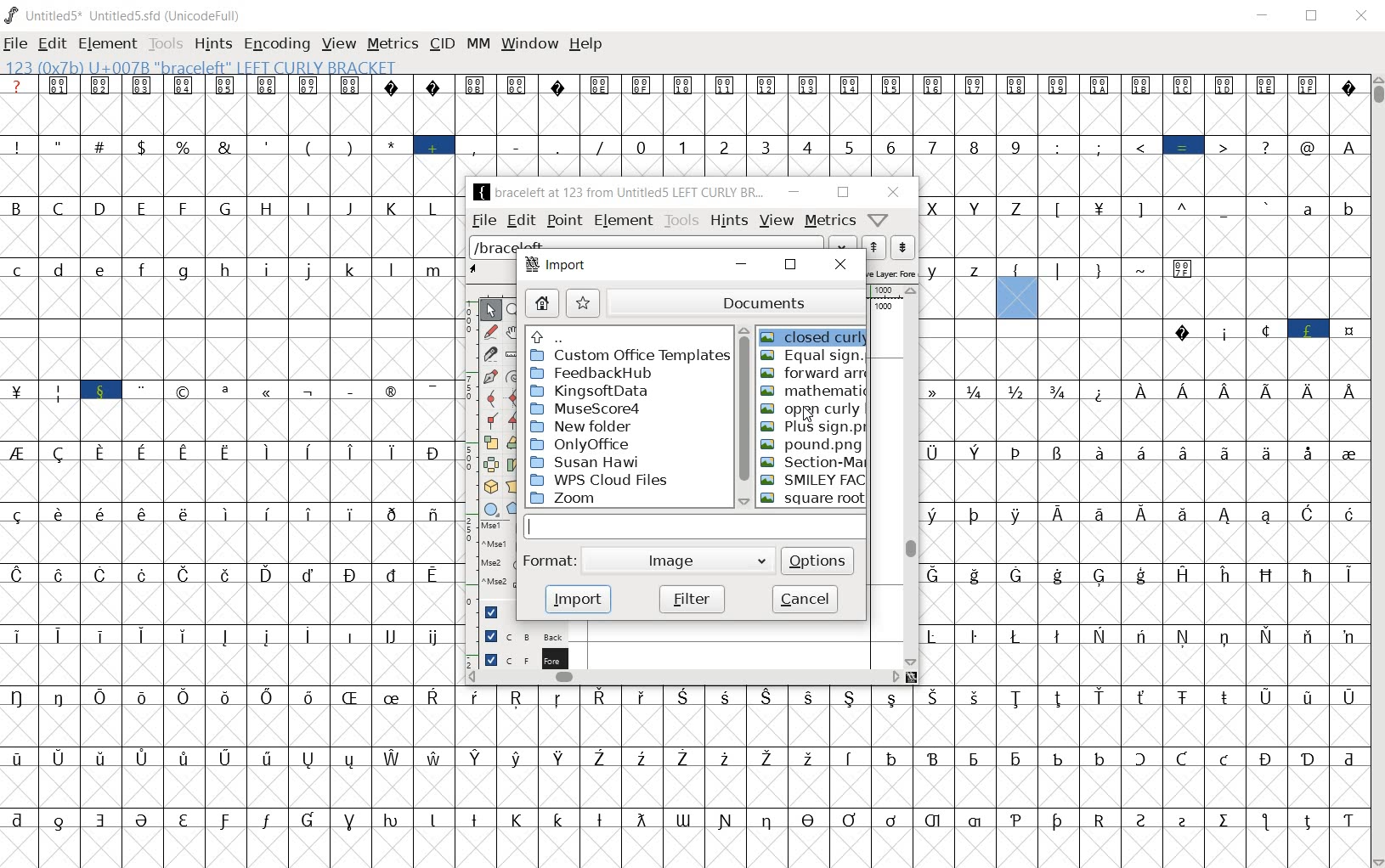 The height and width of the screenshot is (868, 1385). I want to click on MuseSCore, so click(586, 408).